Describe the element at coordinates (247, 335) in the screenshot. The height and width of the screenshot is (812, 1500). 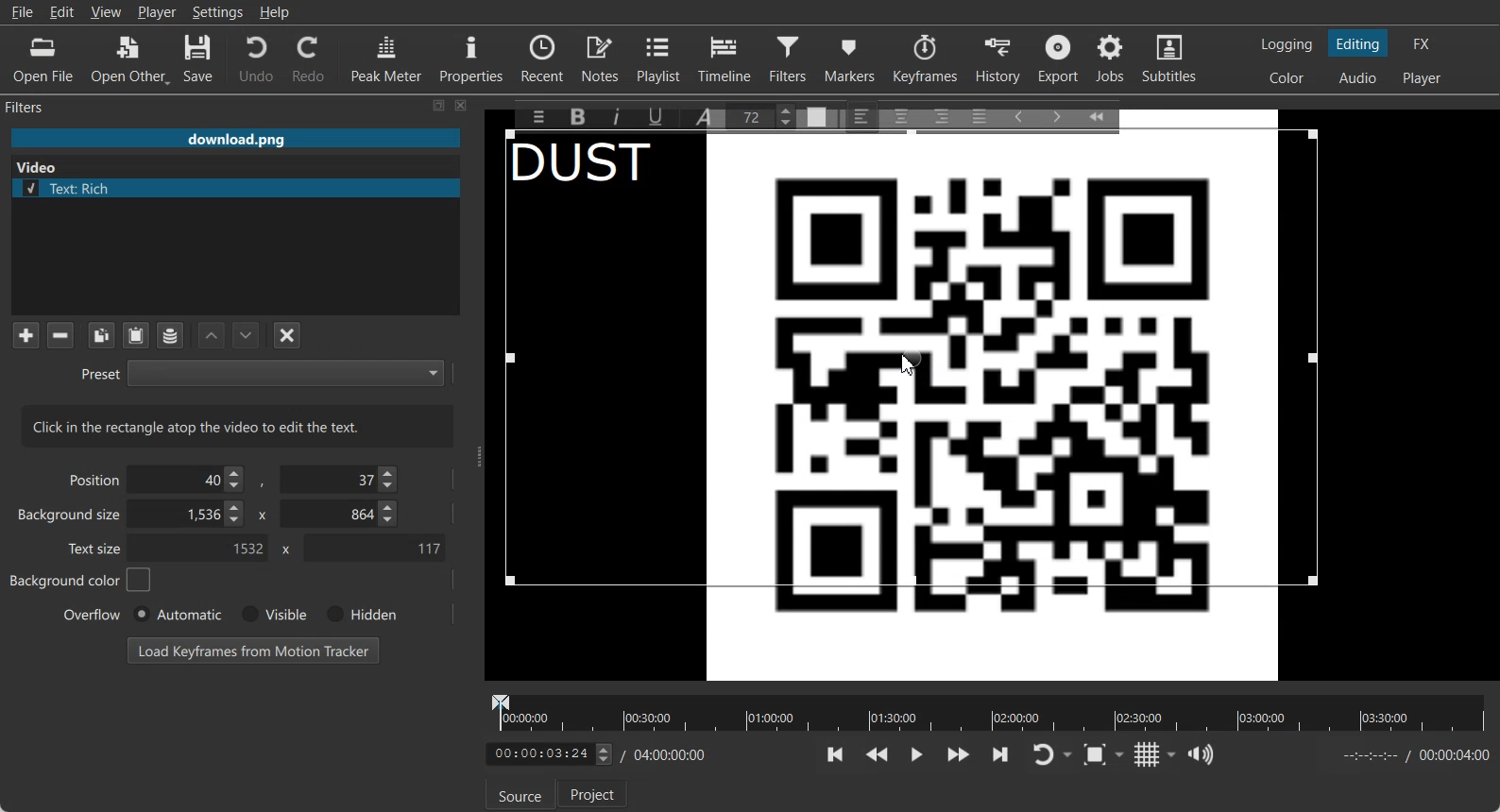
I see `Move Filter Down` at that location.